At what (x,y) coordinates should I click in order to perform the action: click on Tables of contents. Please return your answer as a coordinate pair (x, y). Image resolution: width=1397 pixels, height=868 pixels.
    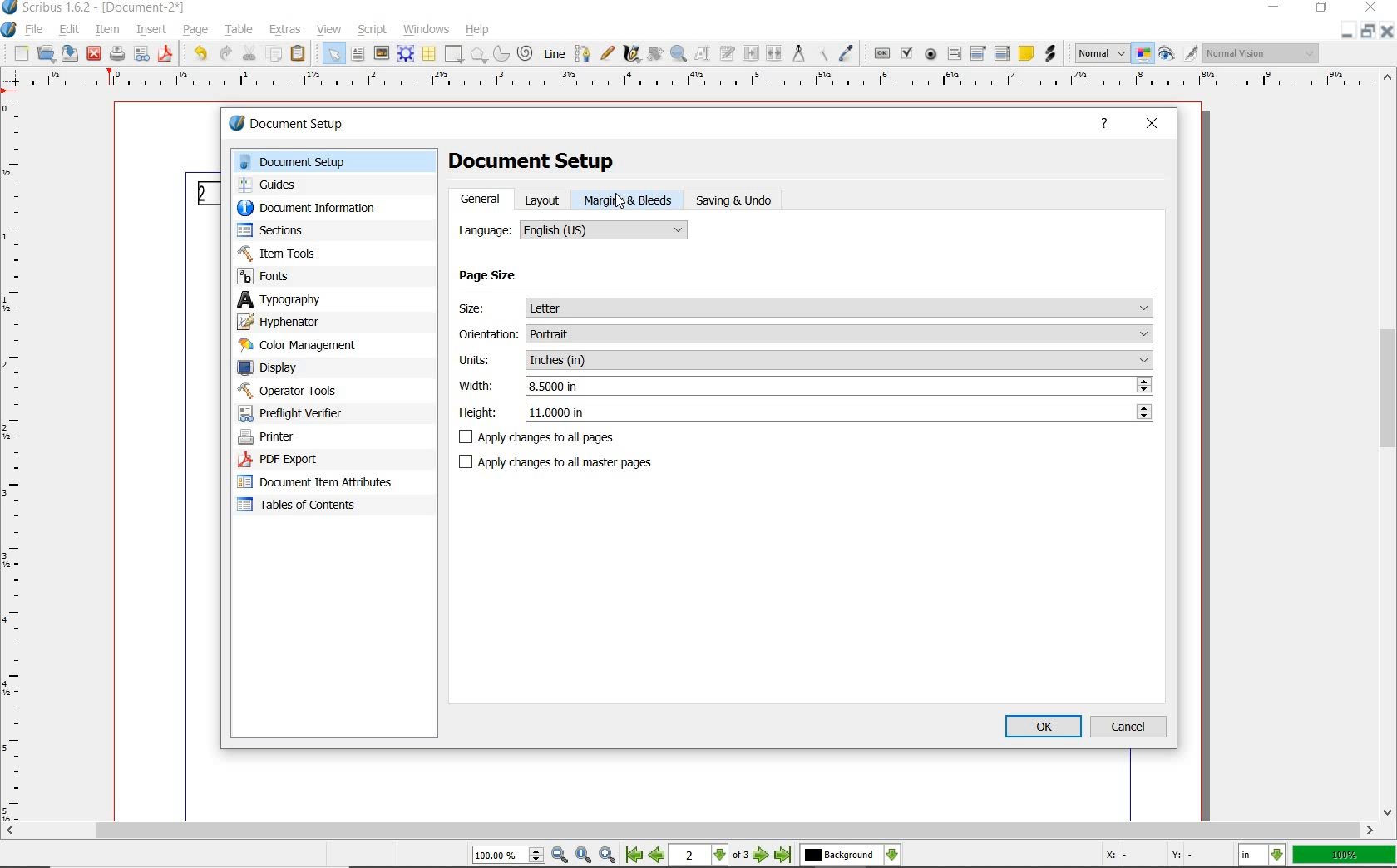
    Looking at the image, I should click on (308, 506).